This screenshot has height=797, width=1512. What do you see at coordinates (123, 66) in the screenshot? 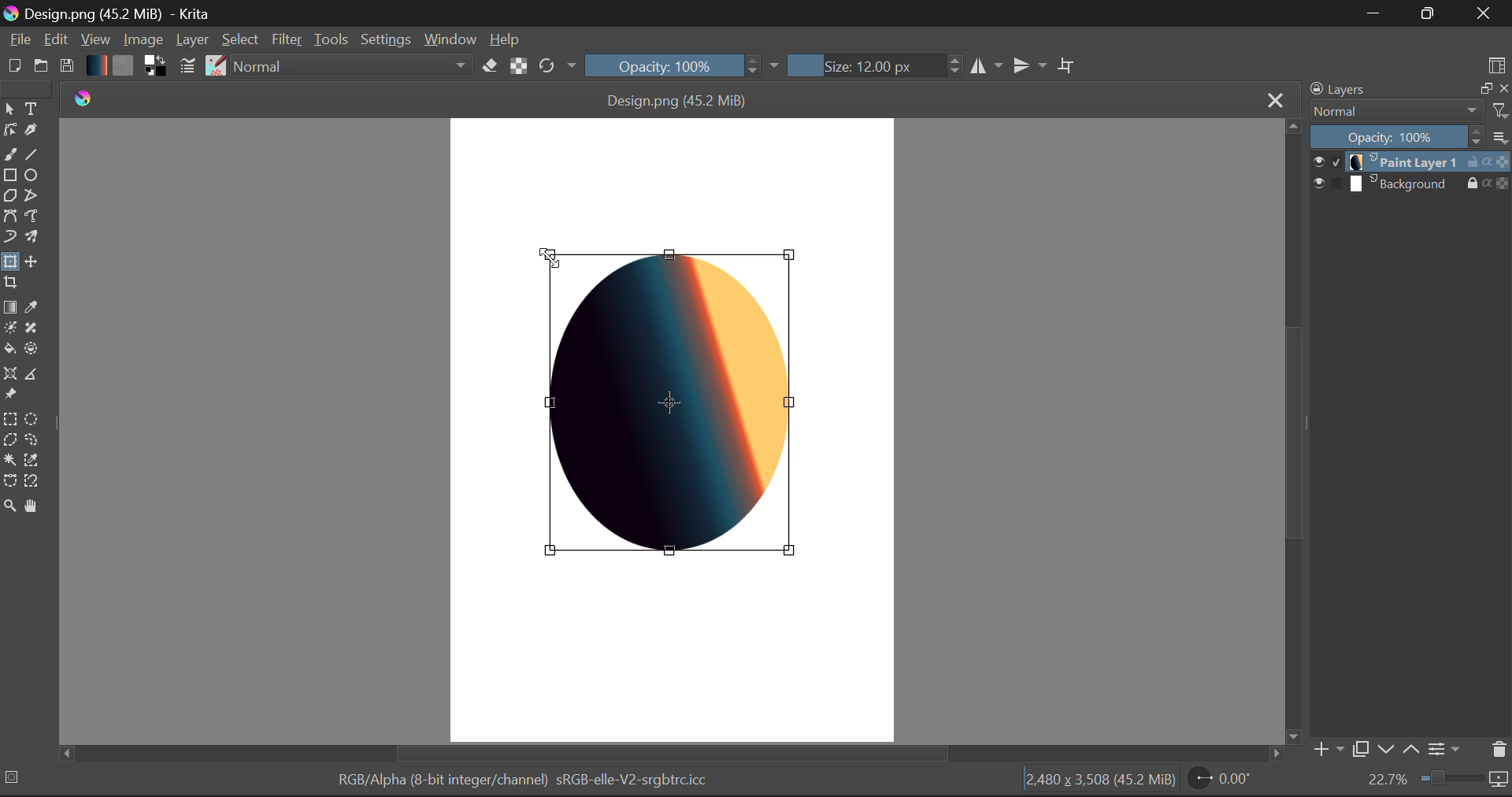
I see `Pattern` at bounding box center [123, 66].